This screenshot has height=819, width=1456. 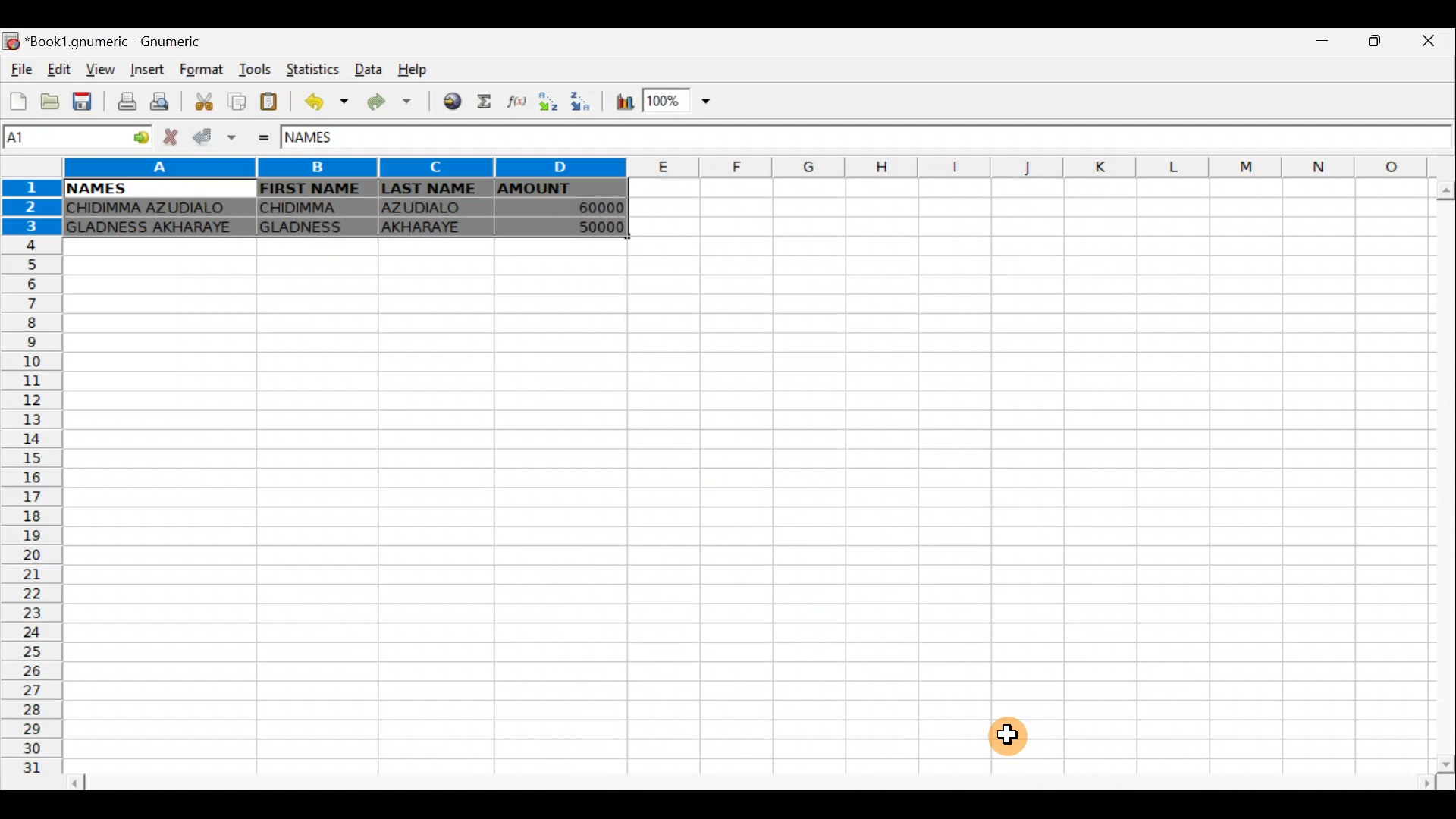 I want to click on Rows, so click(x=29, y=485).